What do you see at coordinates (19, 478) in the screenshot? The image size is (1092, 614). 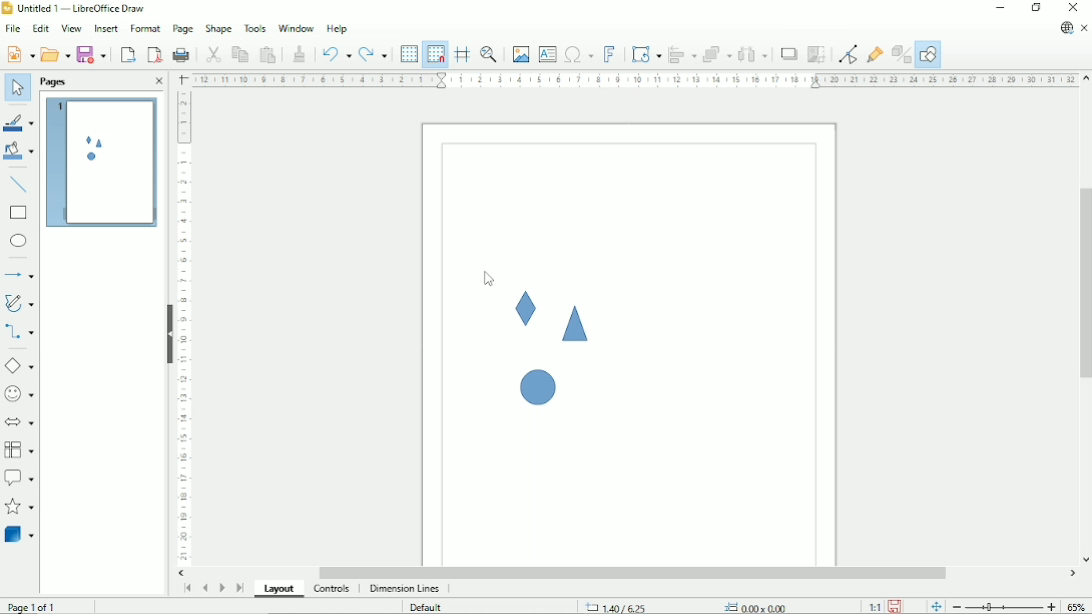 I see `Callout` at bounding box center [19, 478].